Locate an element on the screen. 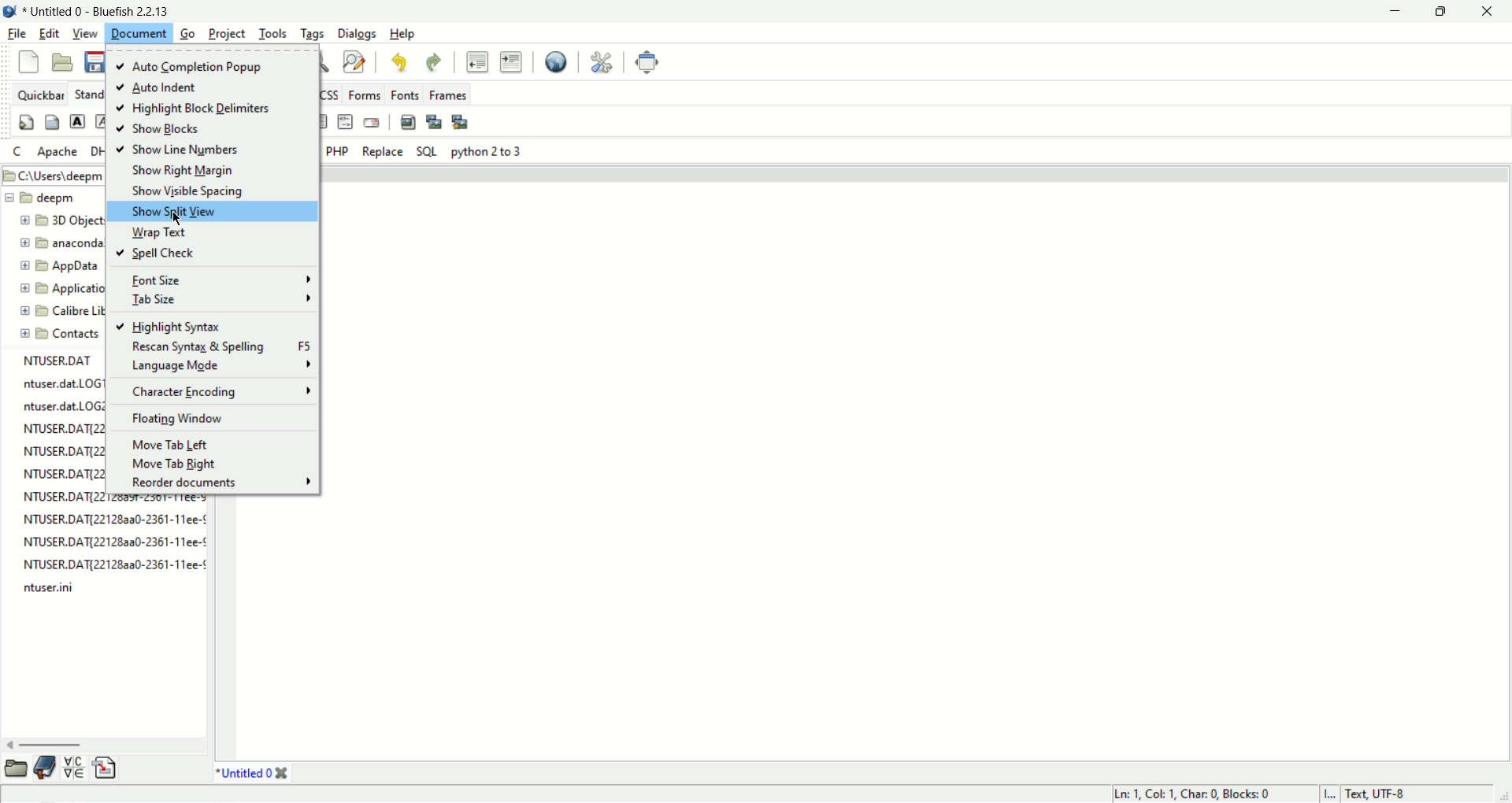  folder name is located at coordinates (61, 265).